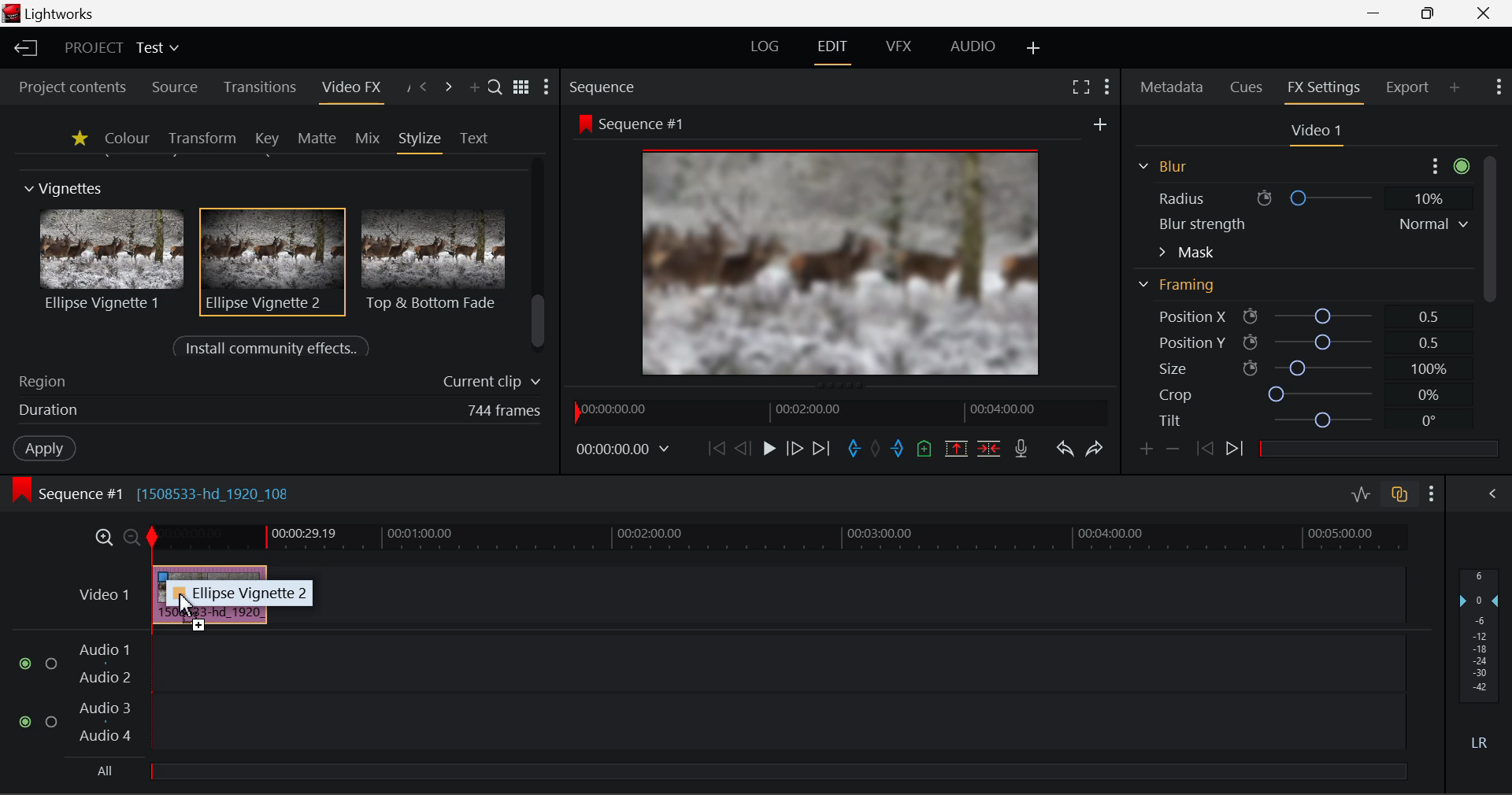 Image resolution: width=1512 pixels, height=795 pixels. I want to click on Mark In, so click(852, 446).